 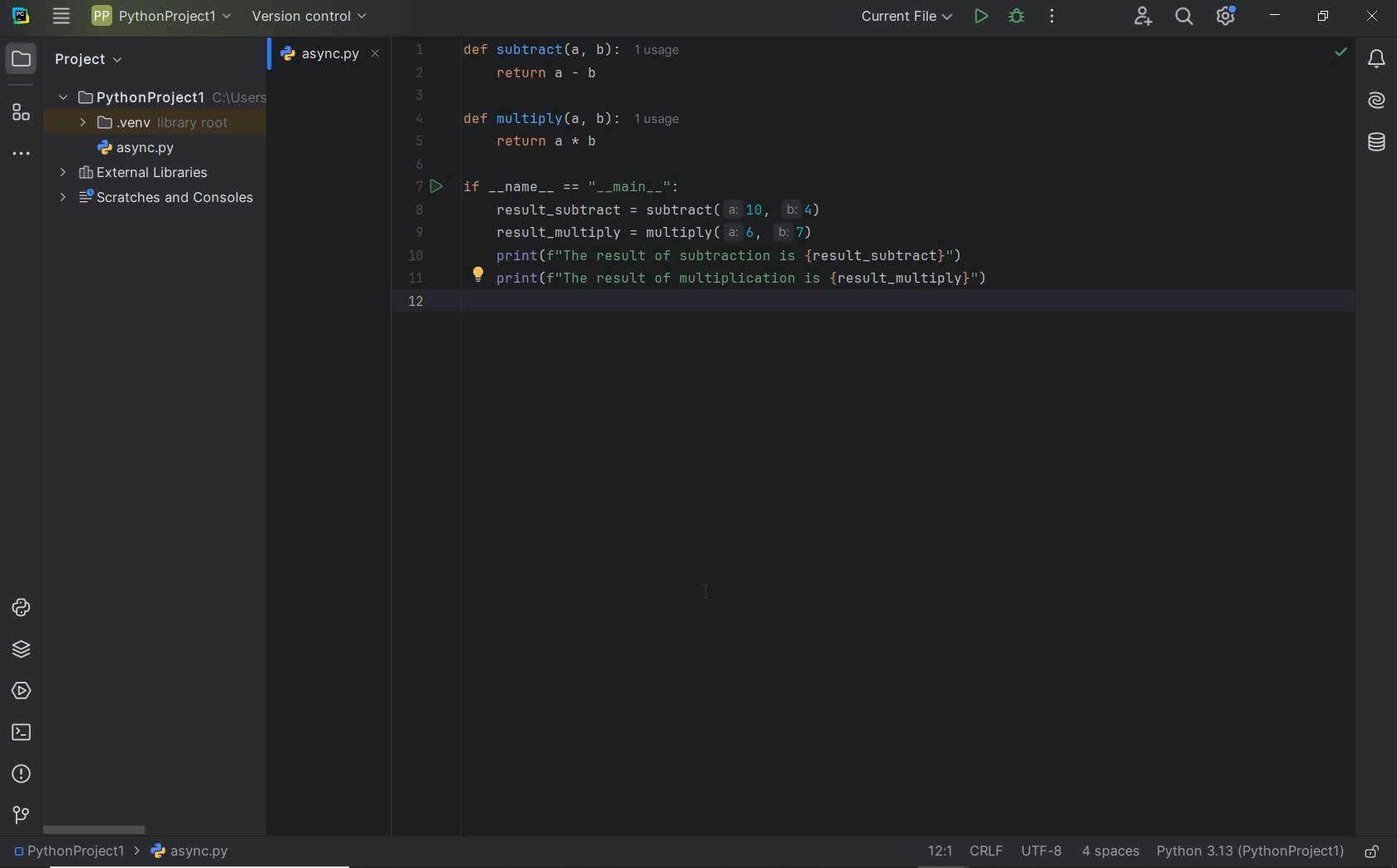 I want to click on IDE and Project Settings, so click(x=1227, y=17).